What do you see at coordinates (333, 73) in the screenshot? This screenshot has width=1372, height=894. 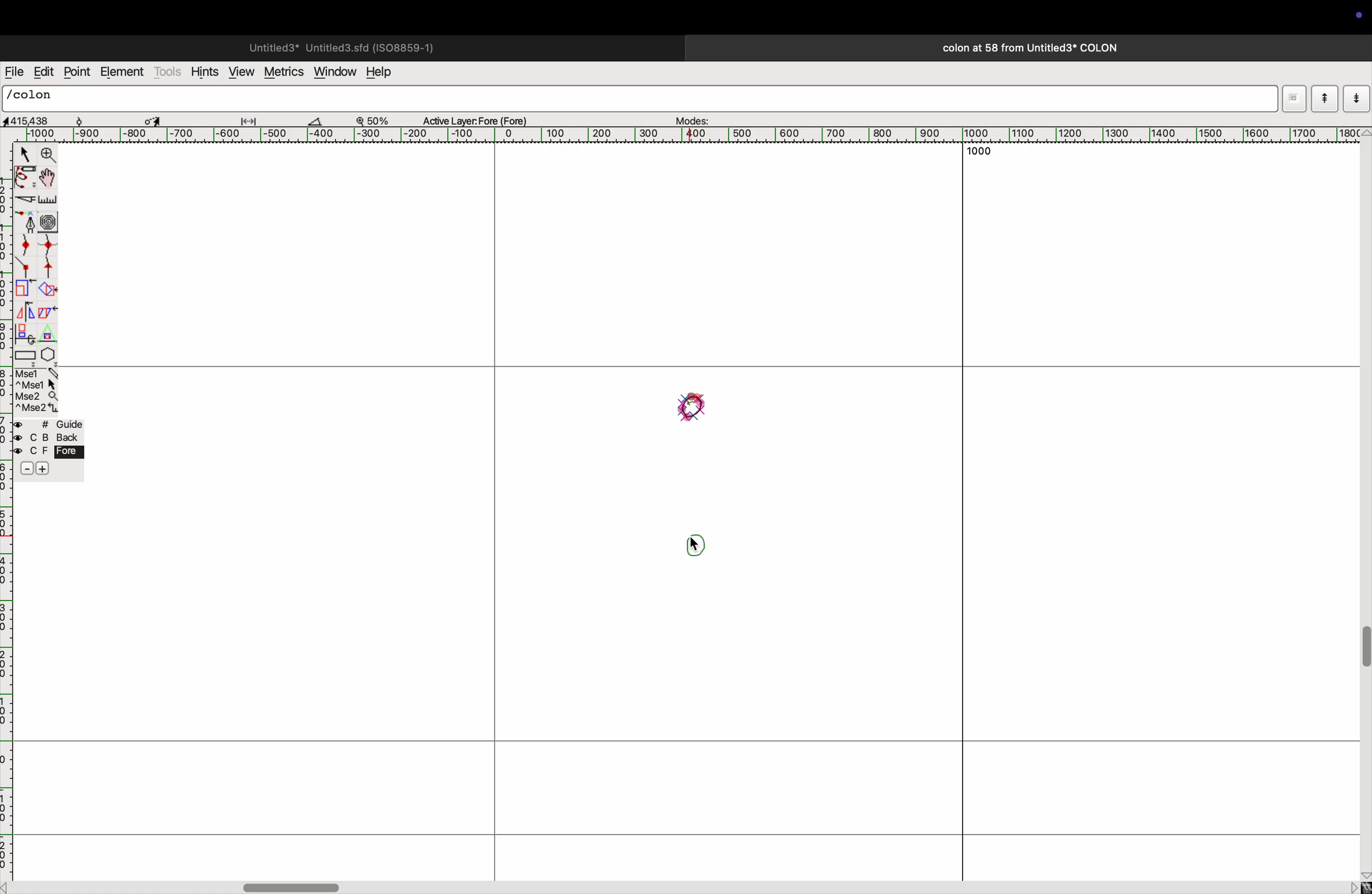 I see `window` at bounding box center [333, 73].